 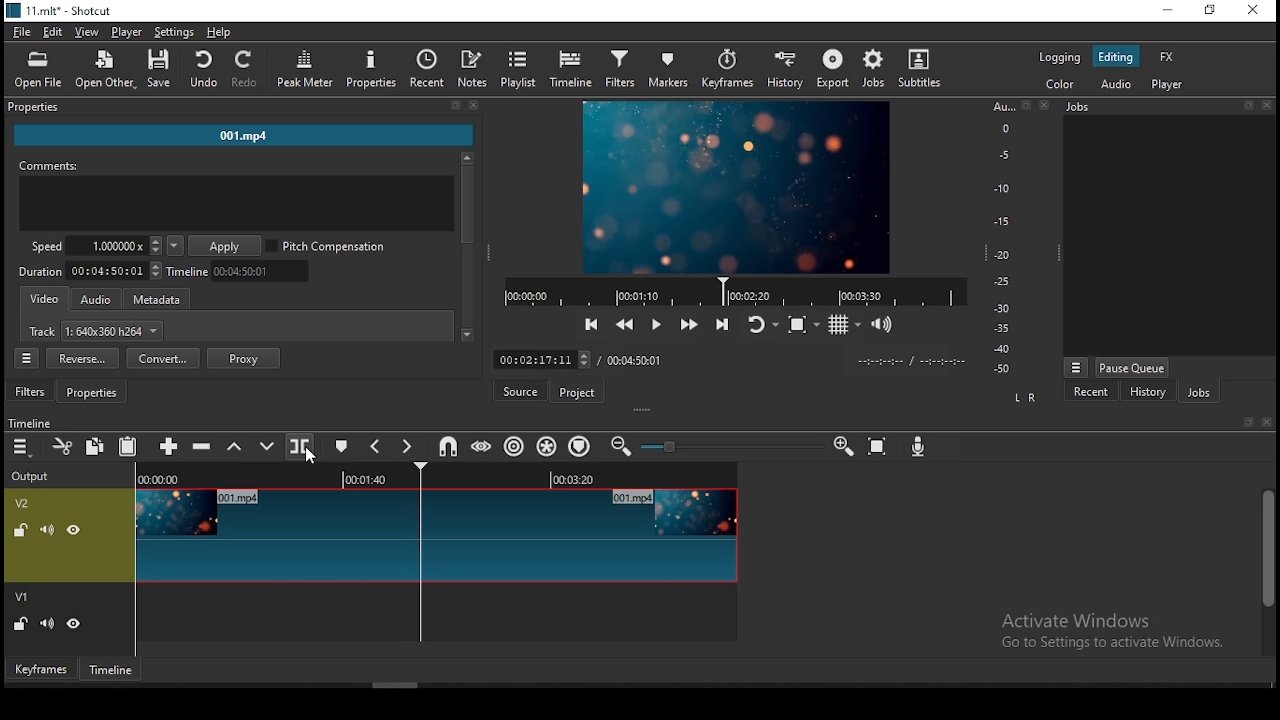 What do you see at coordinates (244, 358) in the screenshot?
I see `proxy` at bounding box center [244, 358].